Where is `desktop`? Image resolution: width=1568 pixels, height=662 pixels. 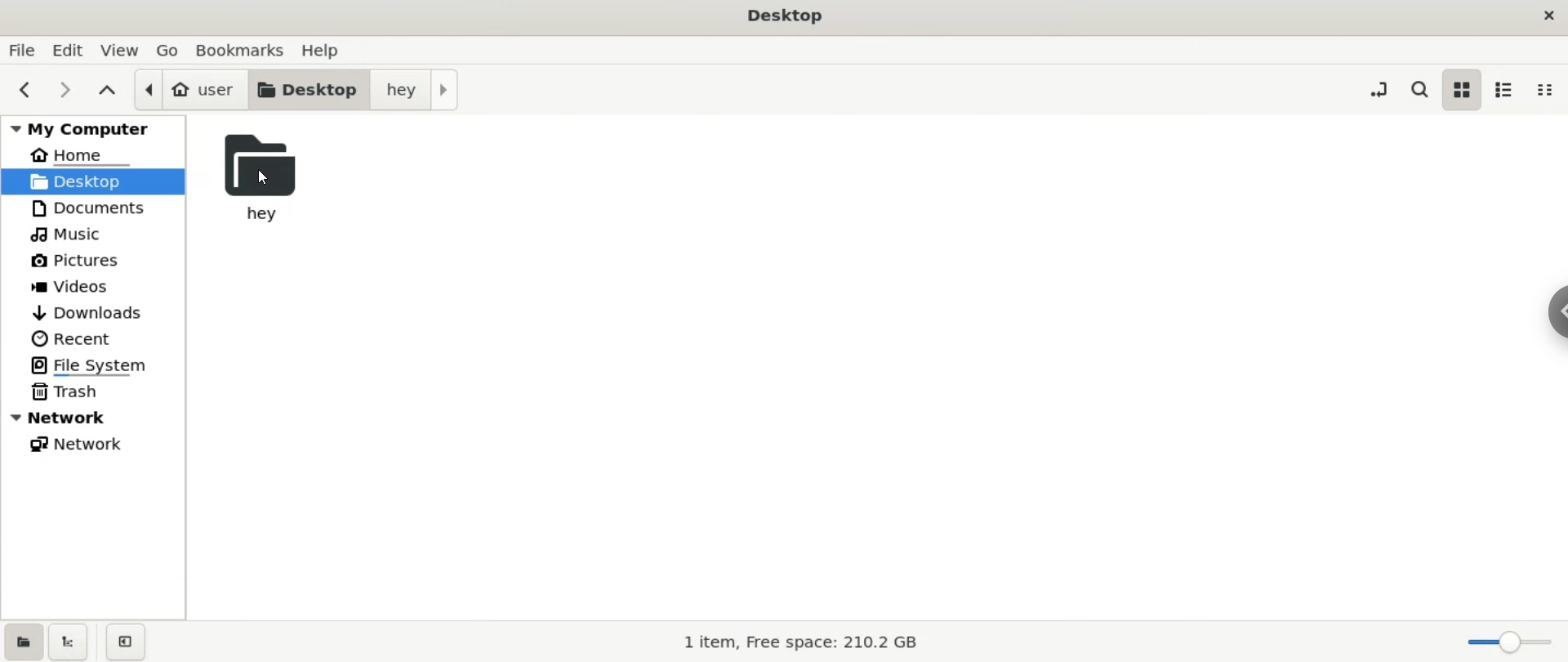
desktop is located at coordinates (95, 181).